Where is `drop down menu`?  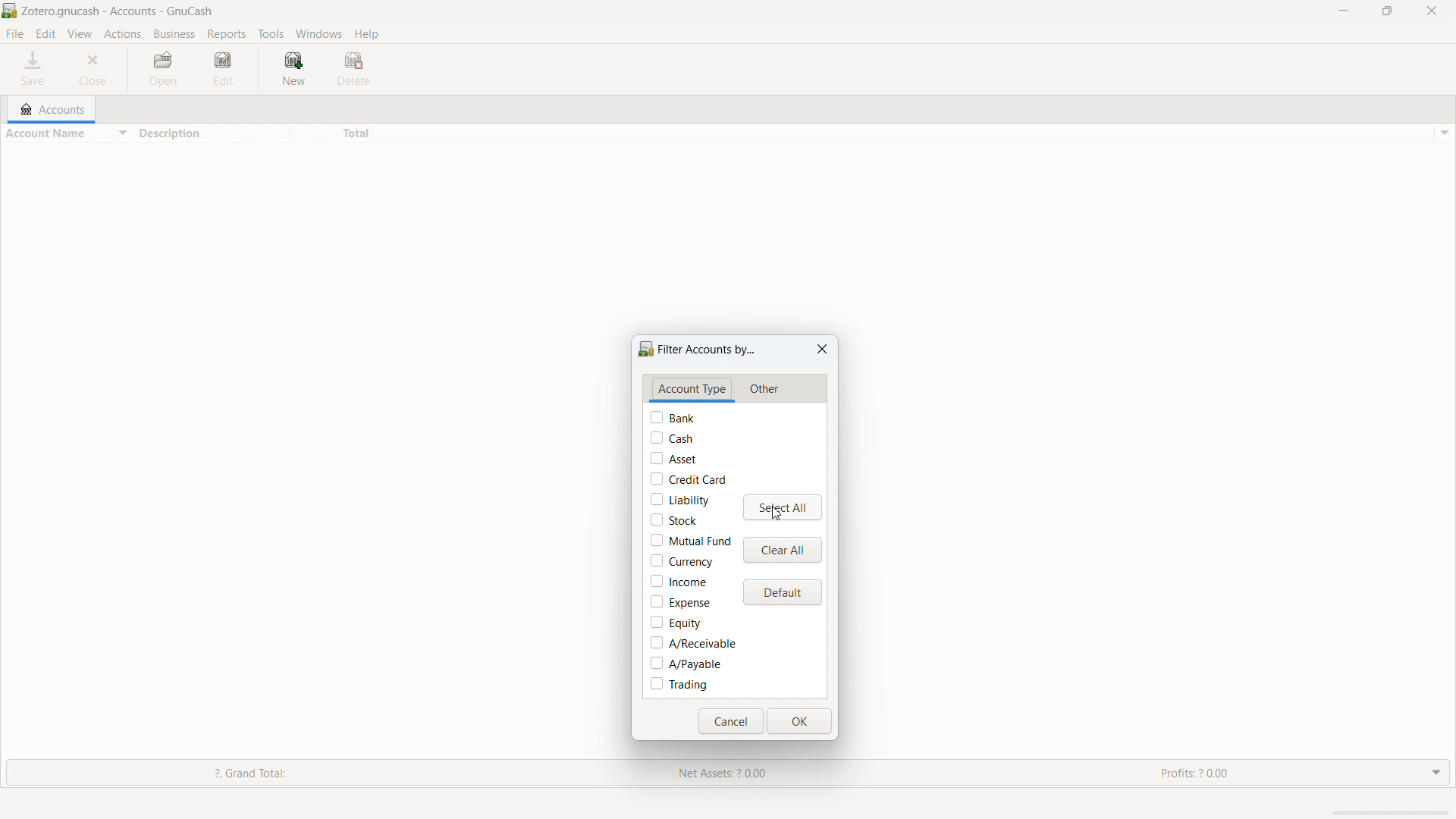 drop down menu is located at coordinates (1437, 770).